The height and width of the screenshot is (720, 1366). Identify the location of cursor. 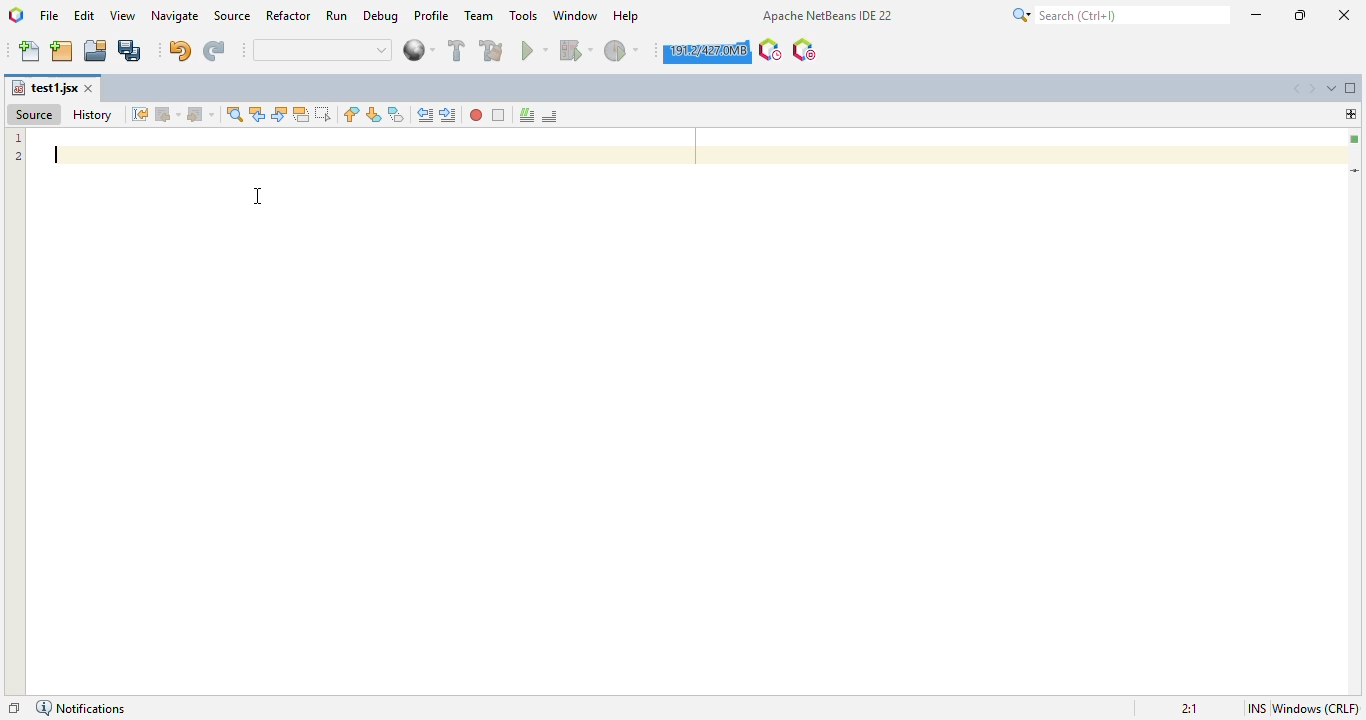
(258, 197).